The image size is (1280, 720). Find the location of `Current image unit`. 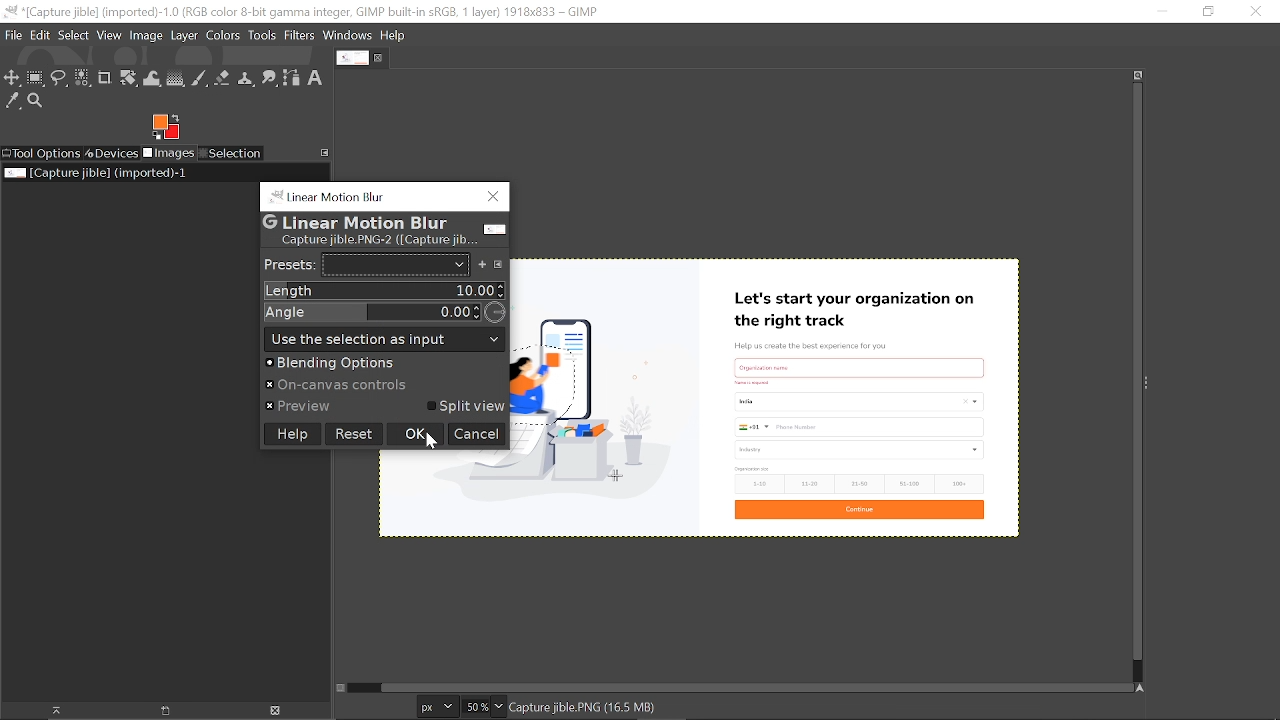

Current image unit is located at coordinates (435, 707).